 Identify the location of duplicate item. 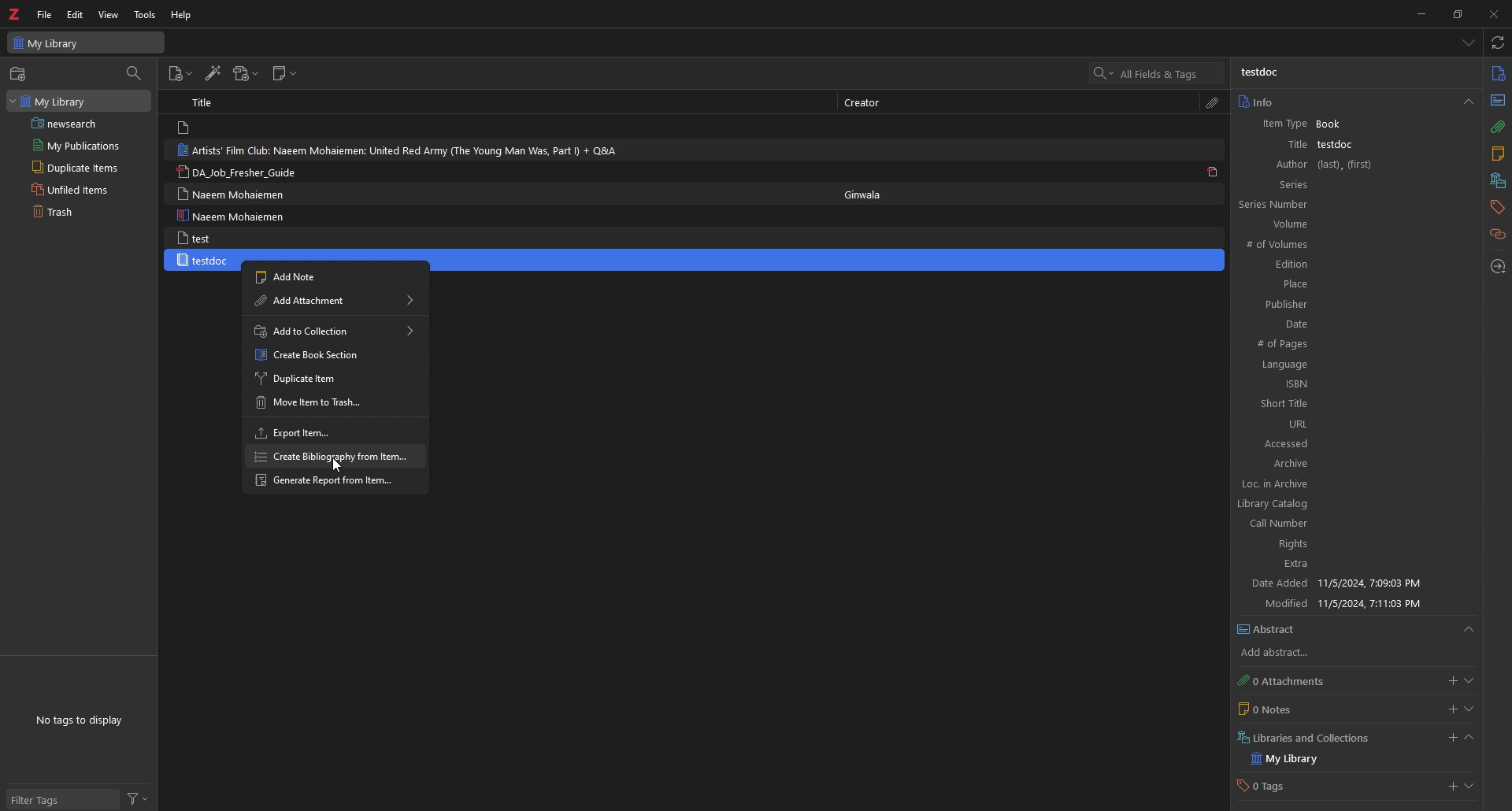
(335, 377).